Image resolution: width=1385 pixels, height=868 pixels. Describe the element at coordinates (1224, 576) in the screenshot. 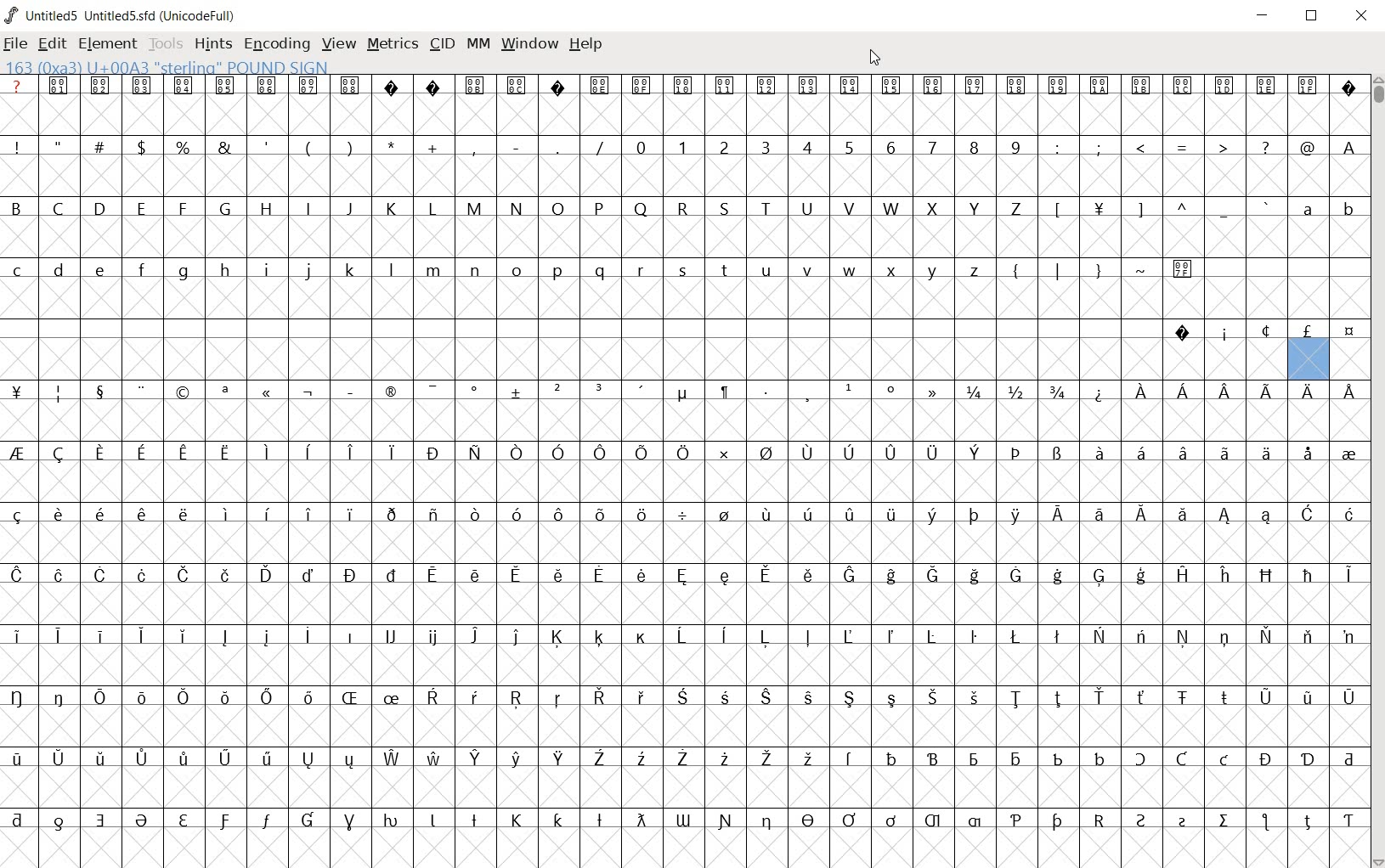

I see `Symbol` at that location.